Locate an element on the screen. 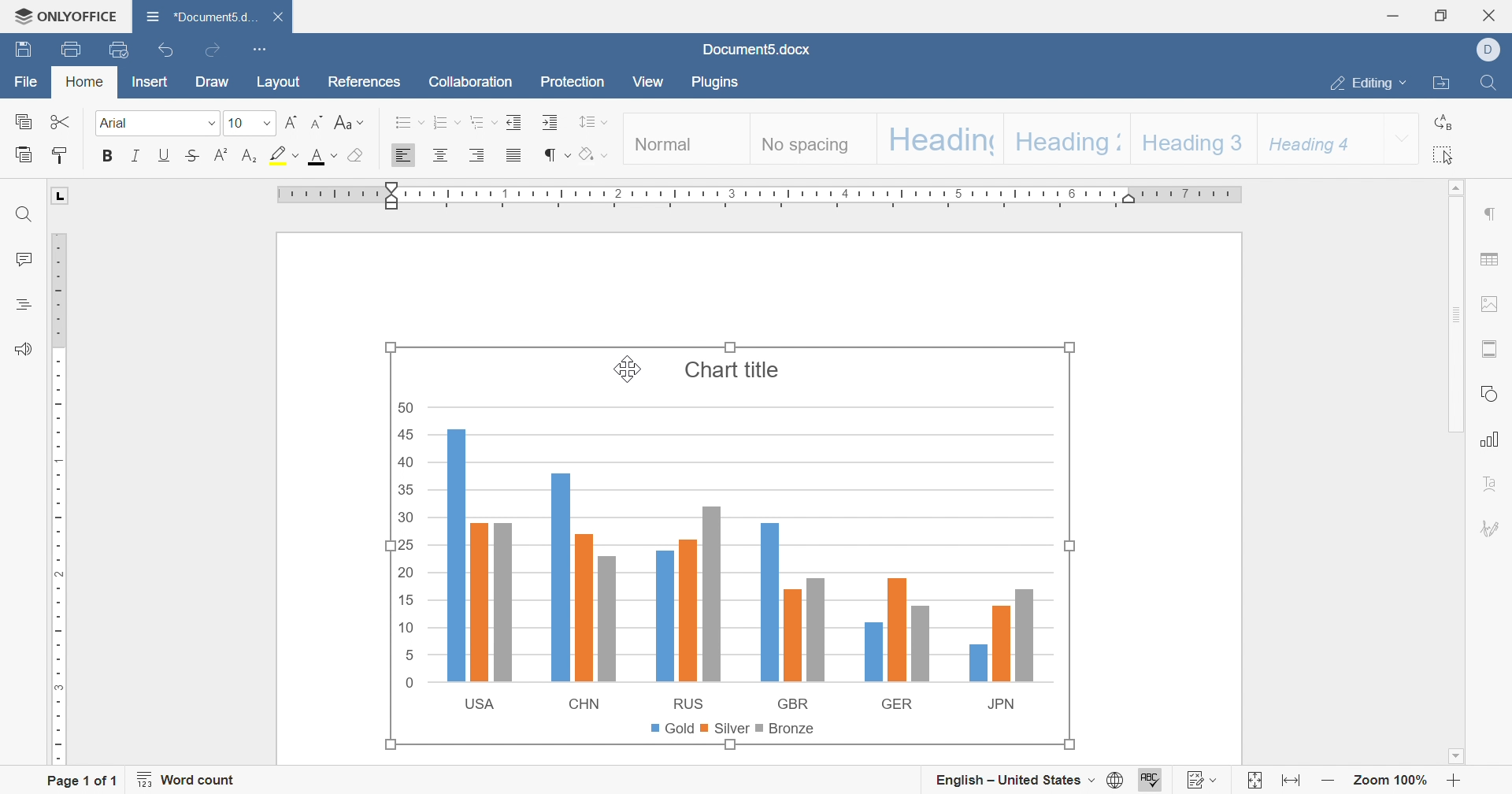 The image size is (1512, 794). signature settings is located at coordinates (1496, 528).